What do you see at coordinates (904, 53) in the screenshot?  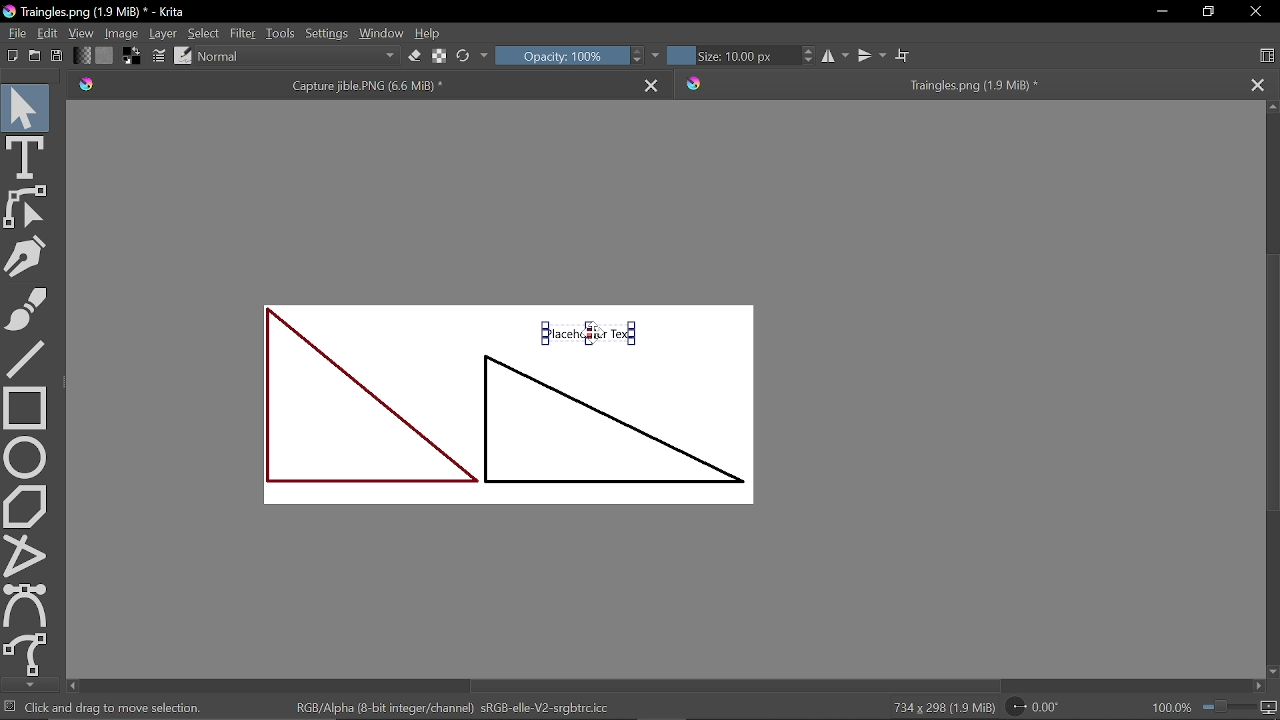 I see `Wrap around mode` at bounding box center [904, 53].